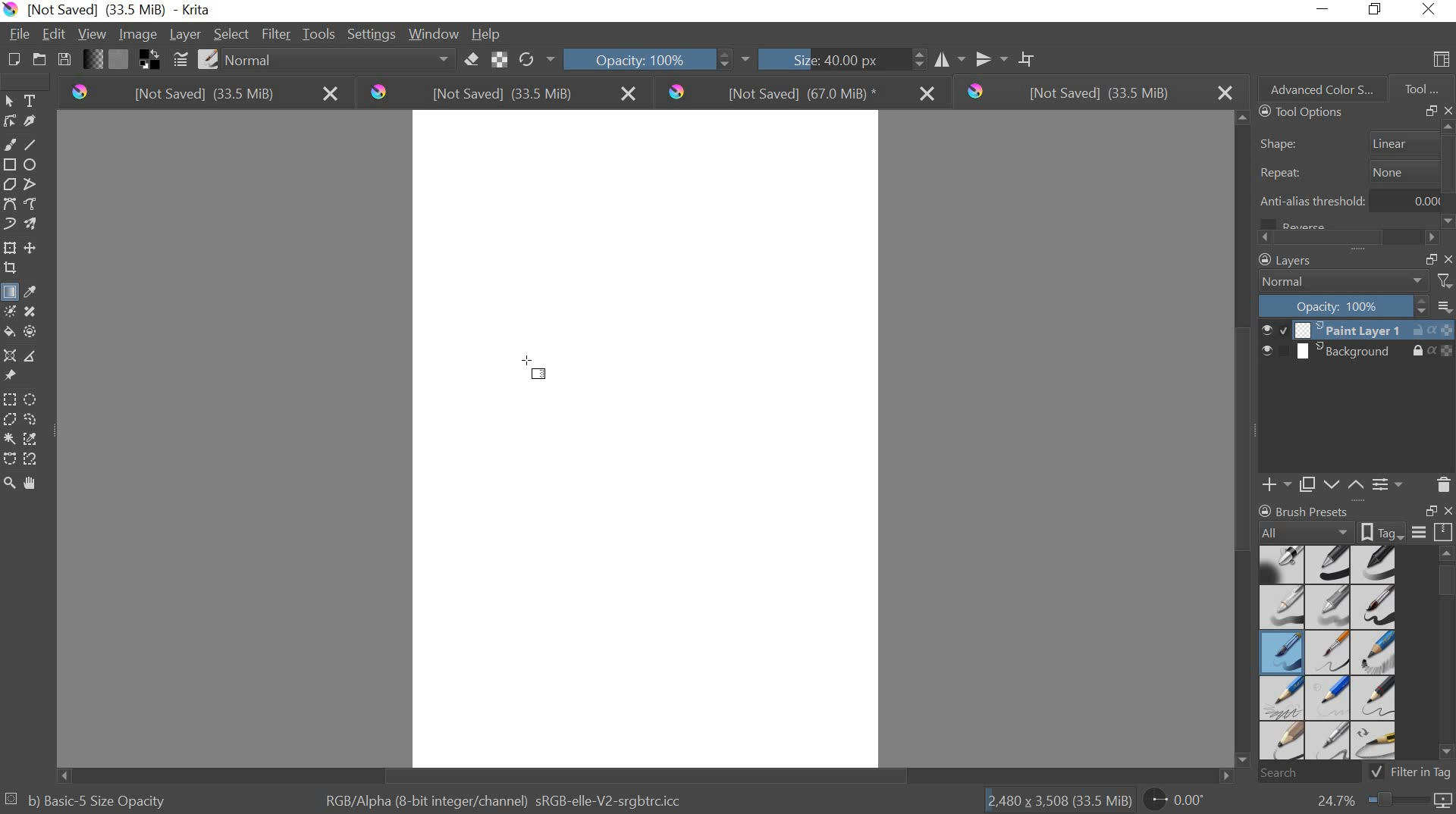  I want to click on SAVE, so click(64, 58).